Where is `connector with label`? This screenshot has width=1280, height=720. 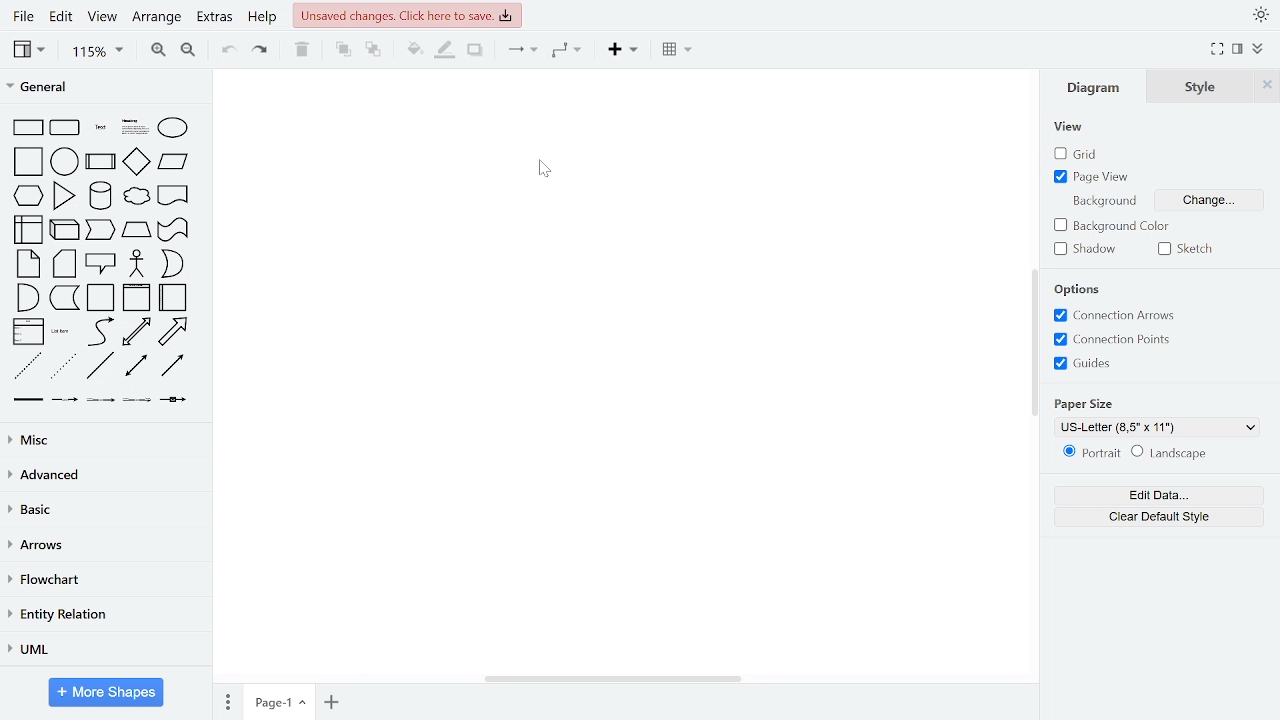 connector with label is located at coordinates (65, 399).